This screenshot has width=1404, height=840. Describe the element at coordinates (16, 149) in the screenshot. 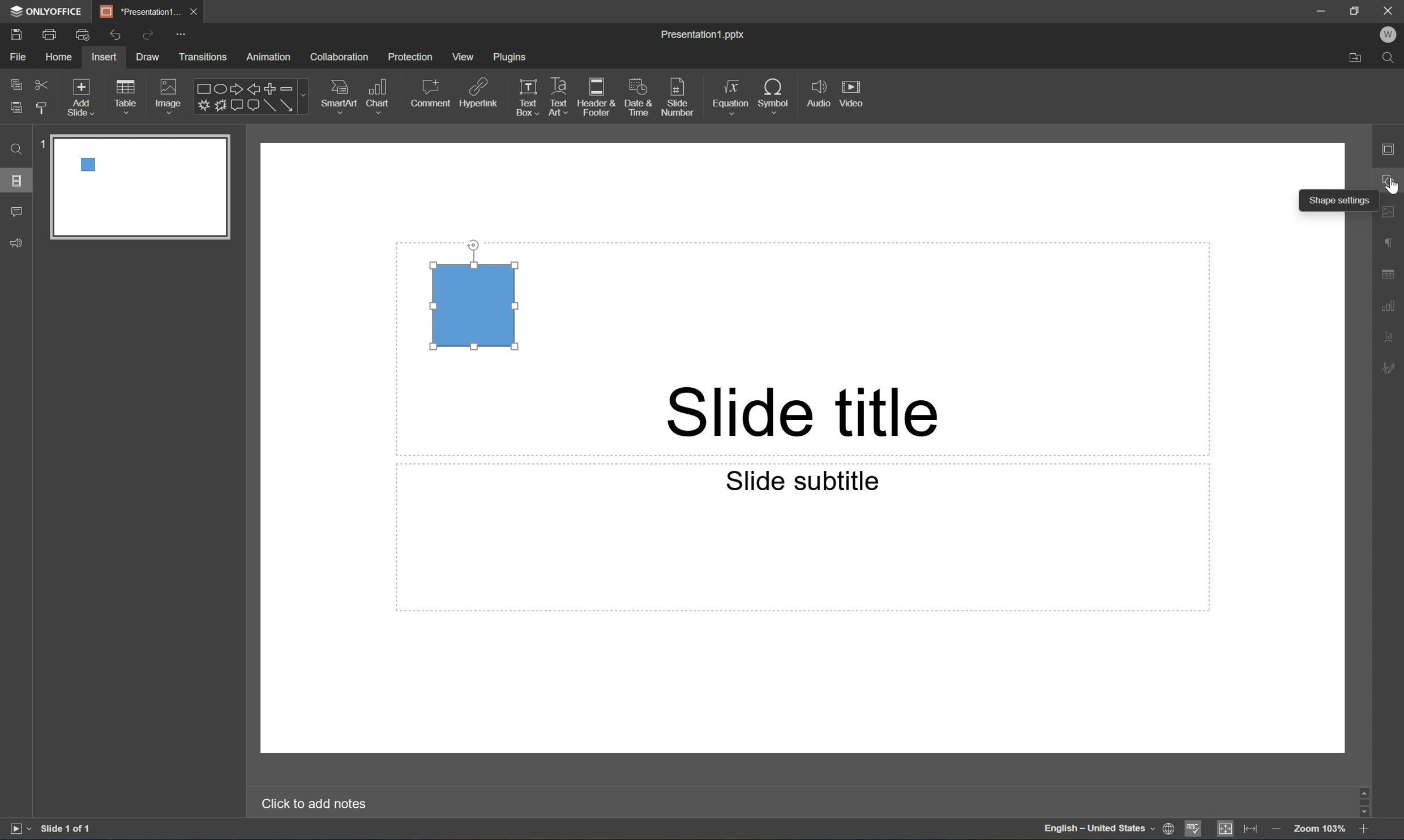

I see `Find` at that location.